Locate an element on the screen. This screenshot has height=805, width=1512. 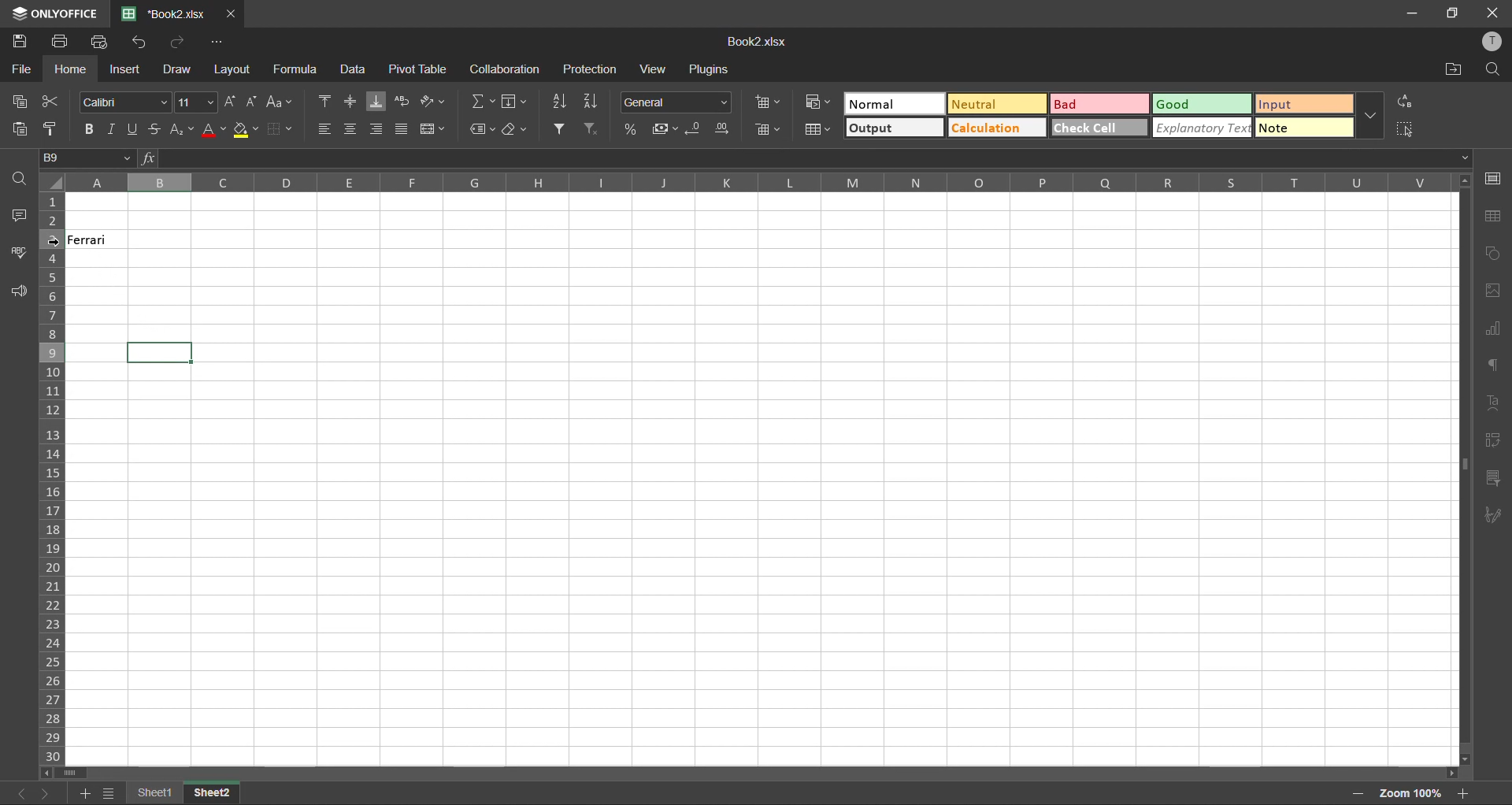
justified is located at coordinates (404, 129).